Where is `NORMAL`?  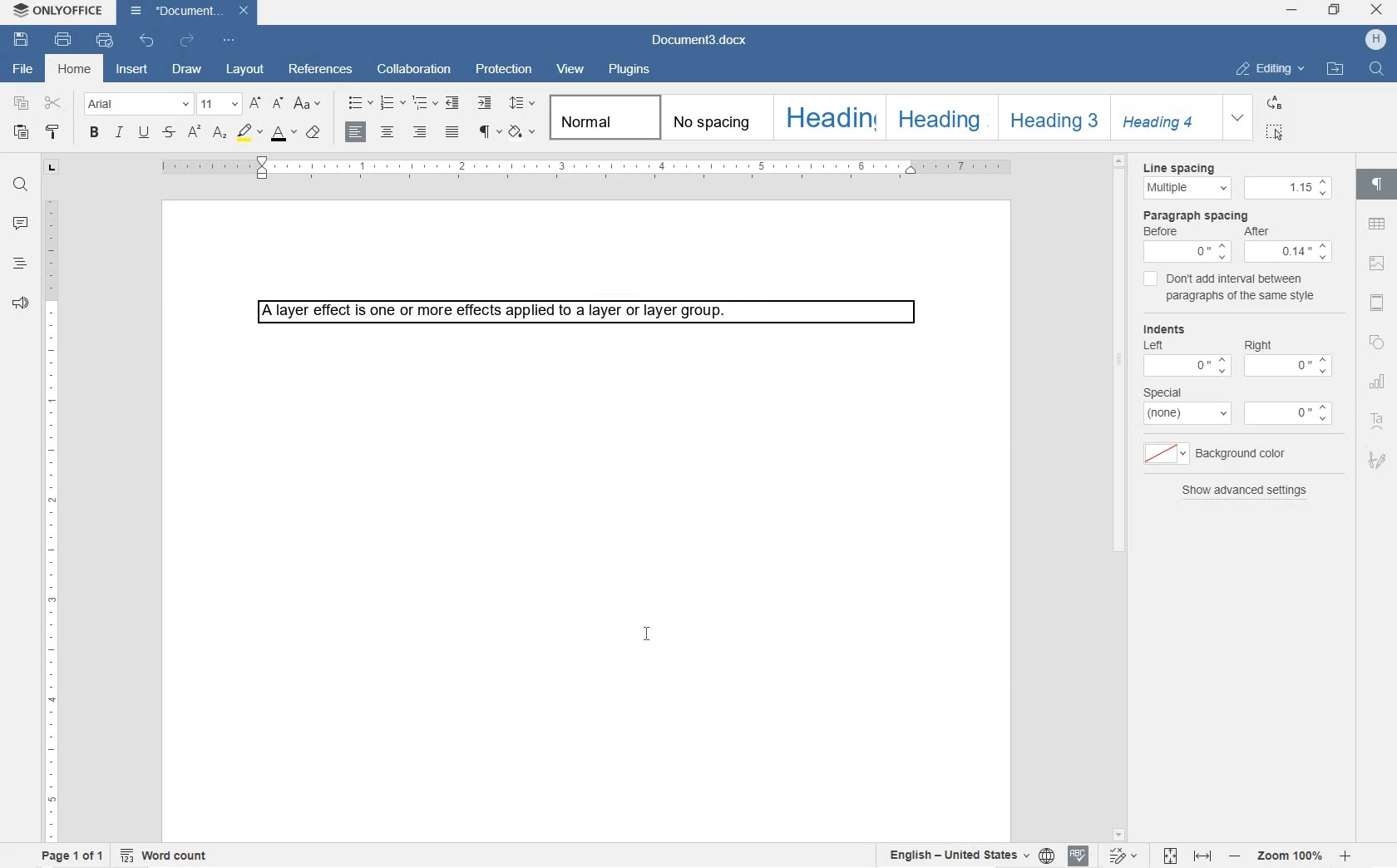
NORMAL is located at coordinates (601, 116).